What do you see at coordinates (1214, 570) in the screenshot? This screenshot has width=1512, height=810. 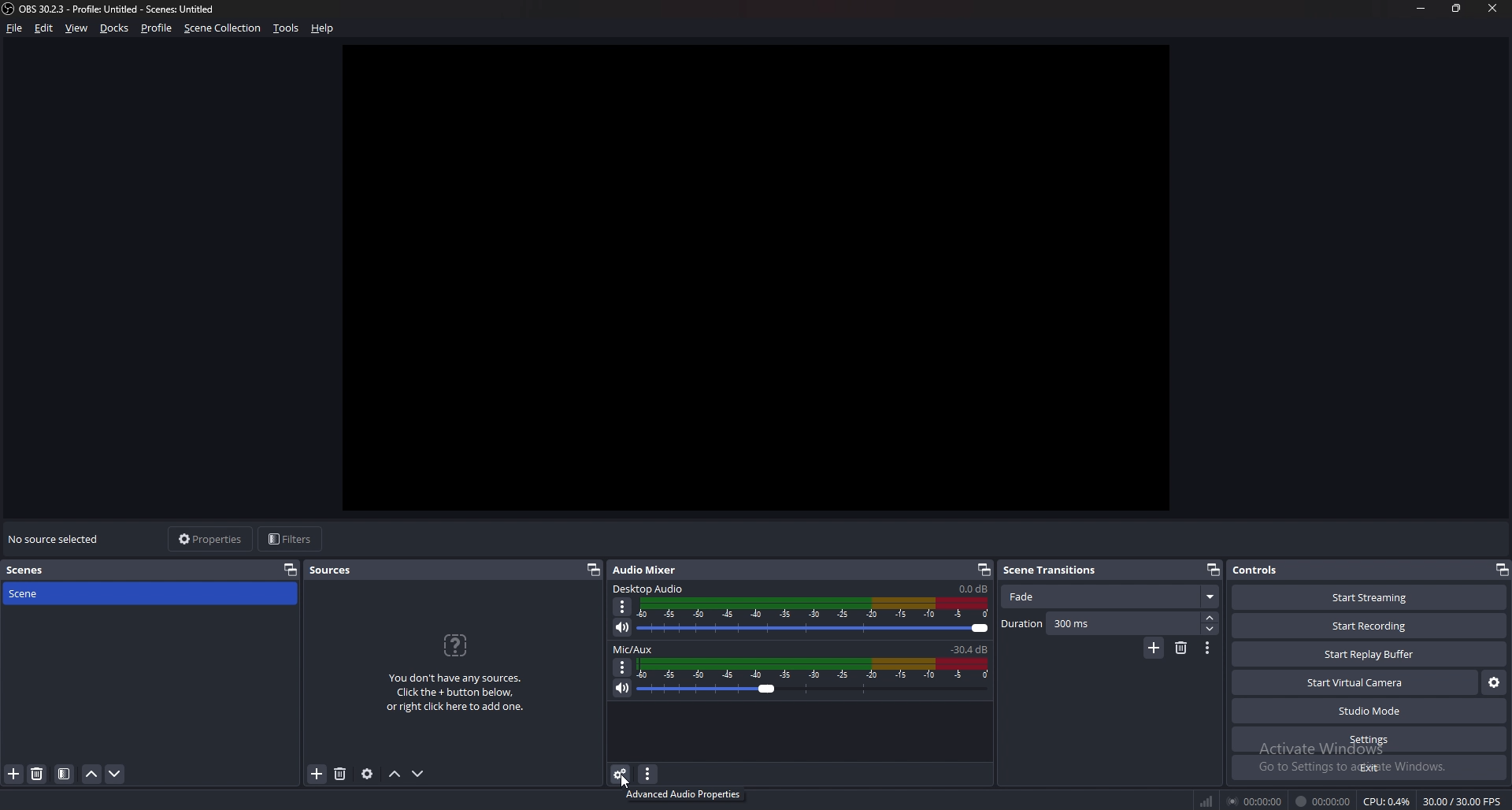 I see `pop out` at bounding box center [1214, 570].